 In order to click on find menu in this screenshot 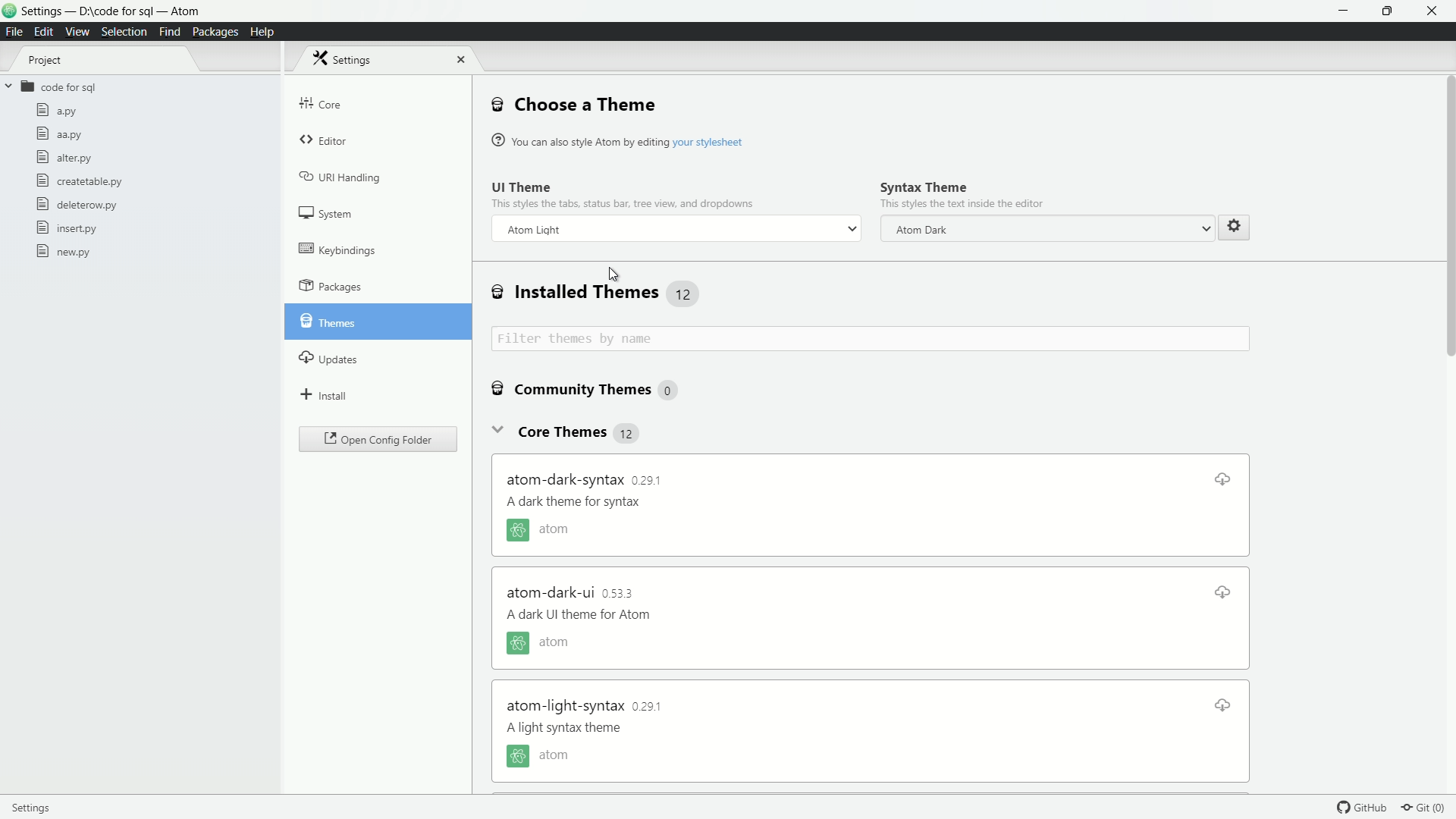, I will do `click(169, 33)`.